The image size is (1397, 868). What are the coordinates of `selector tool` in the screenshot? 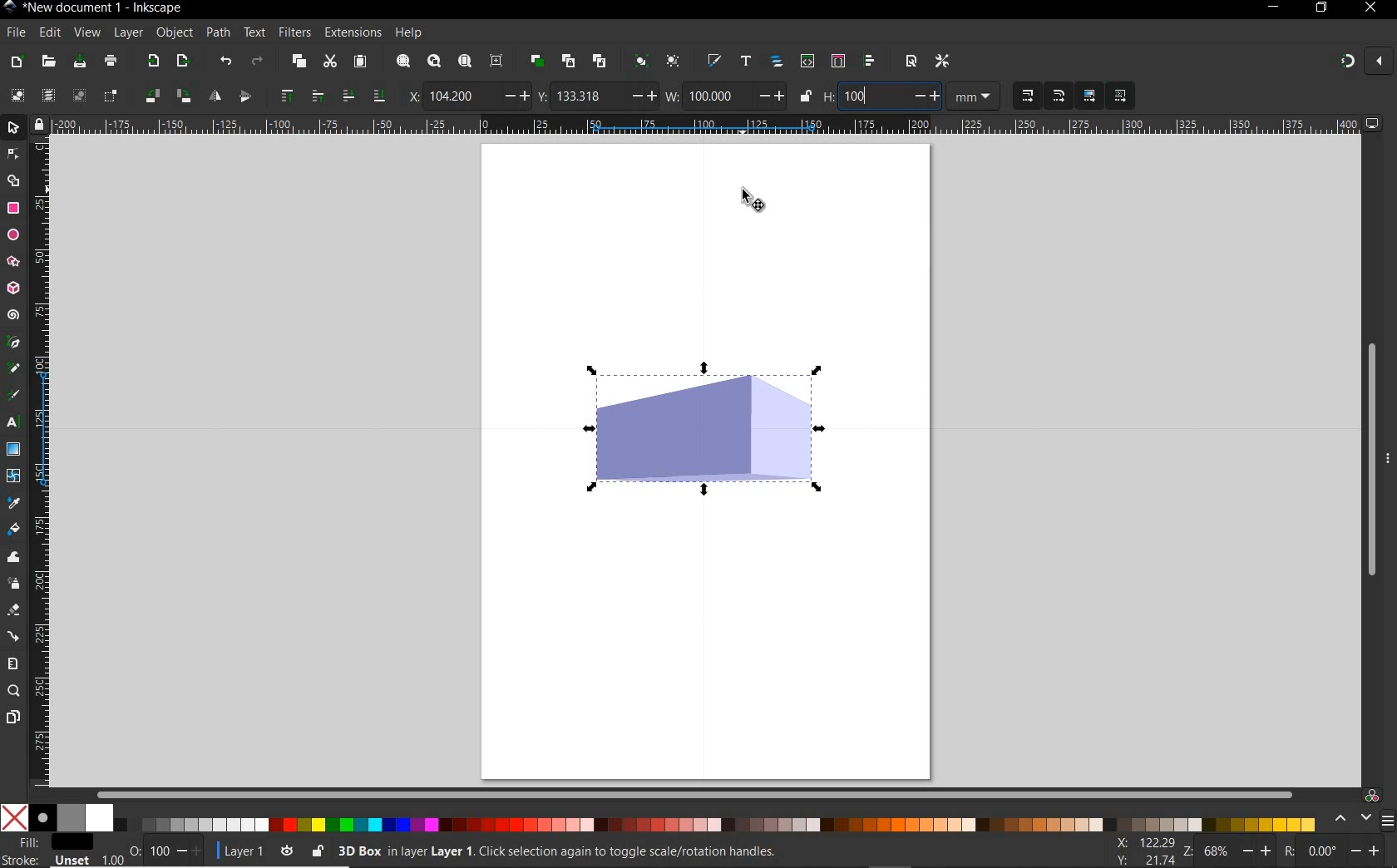 It's located at (14, 128).